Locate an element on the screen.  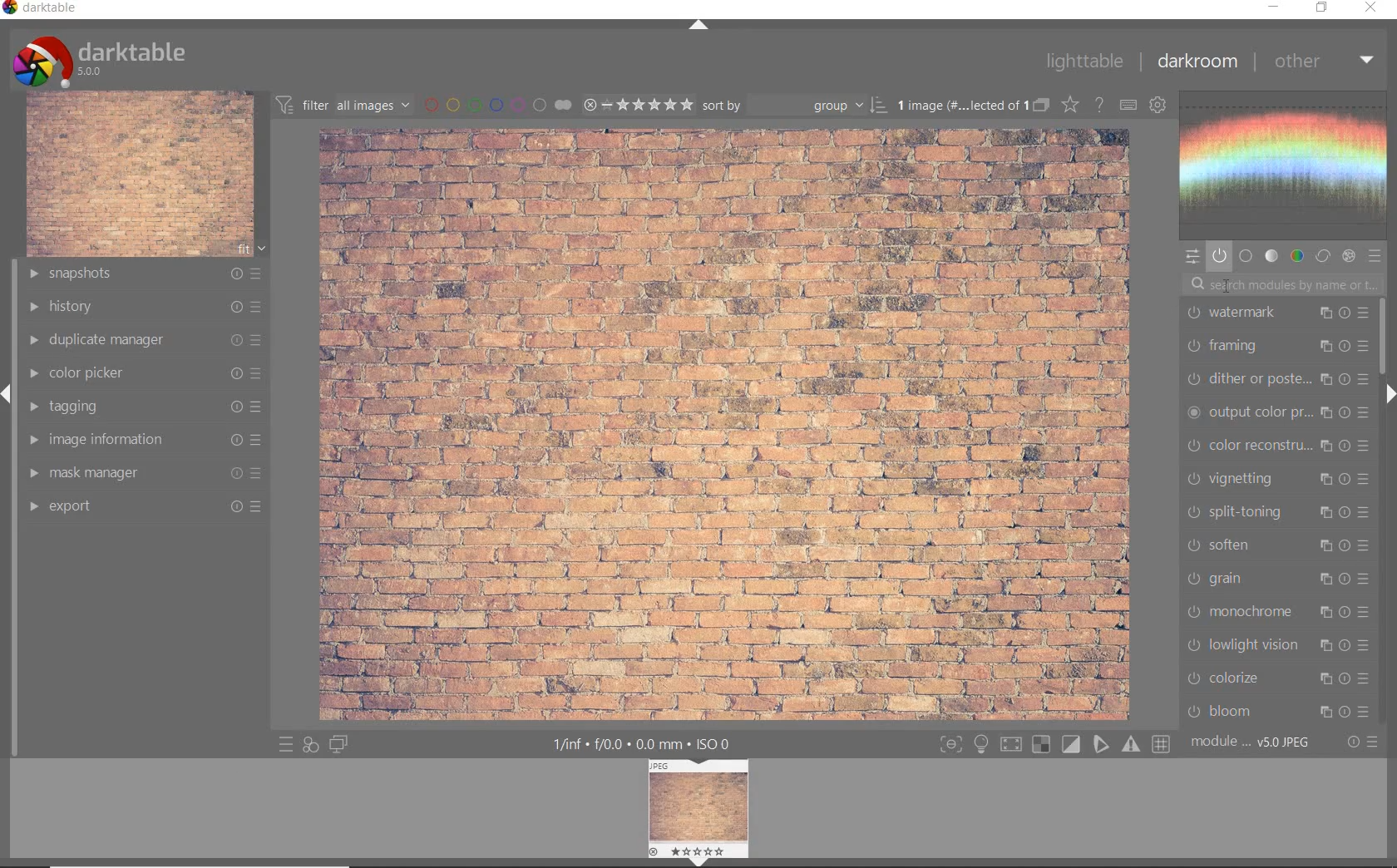
history is located at coordinates (147, 307).